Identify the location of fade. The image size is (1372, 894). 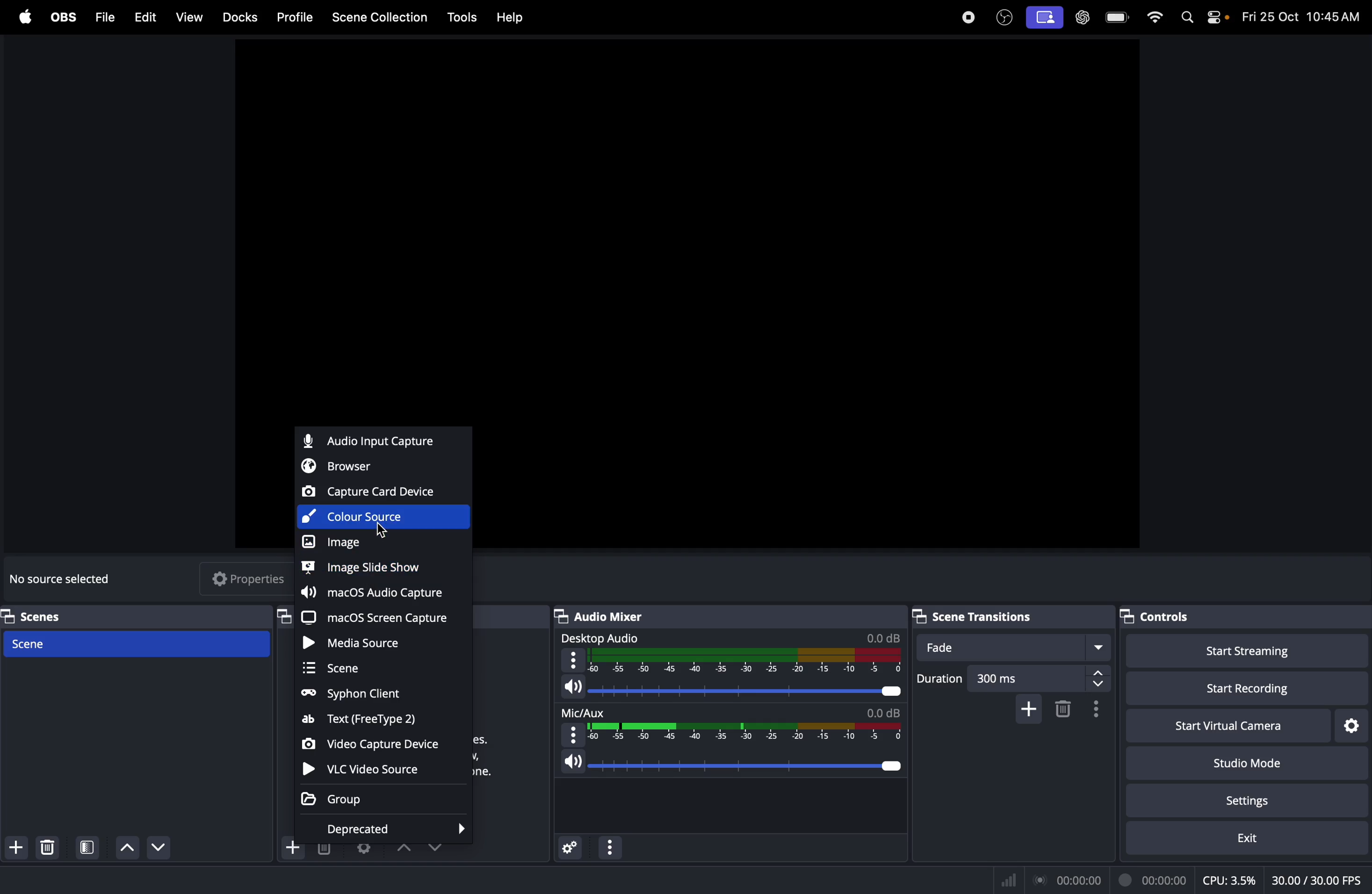
(1017, 647).